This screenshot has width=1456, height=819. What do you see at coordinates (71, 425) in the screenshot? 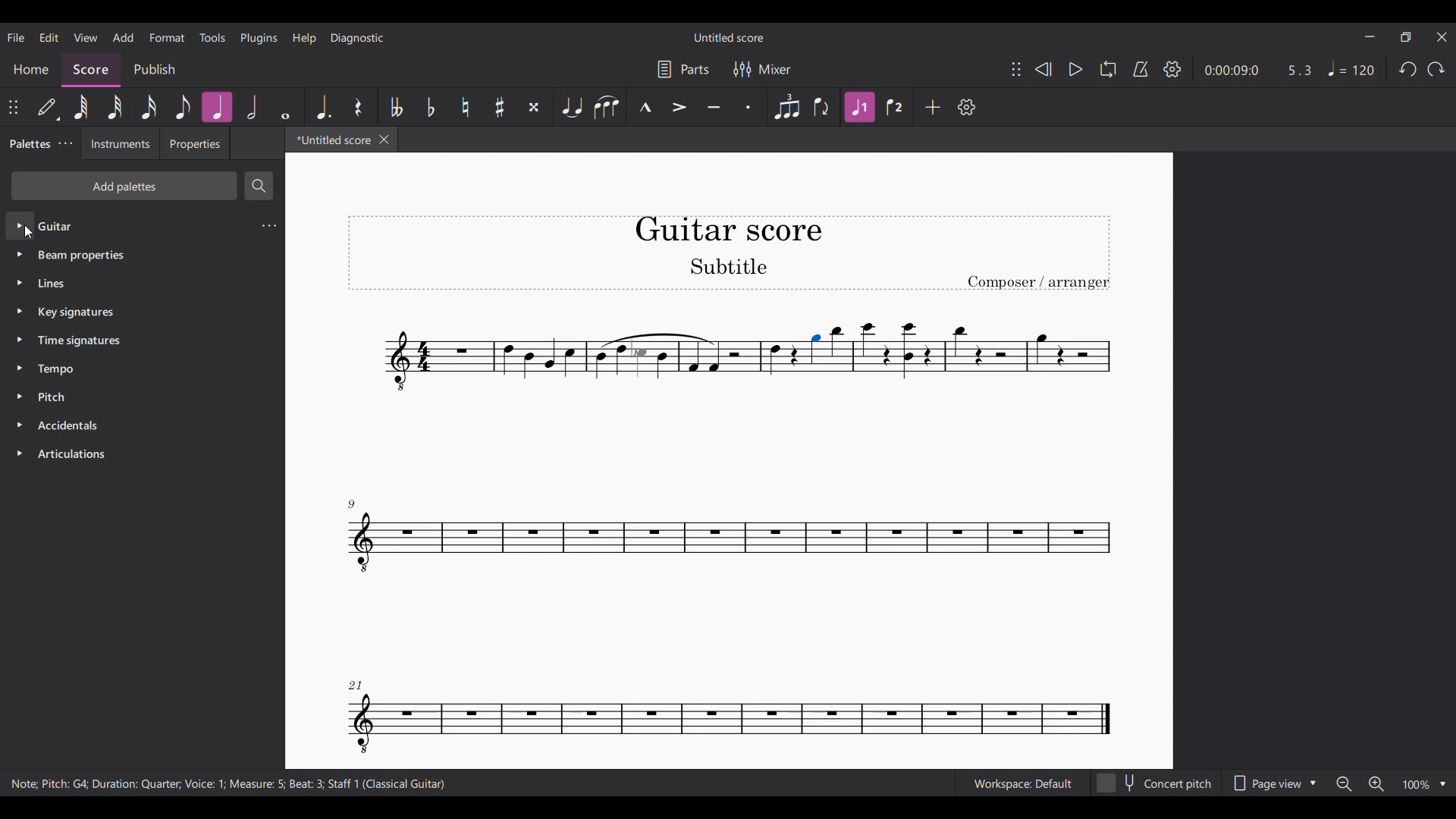
I see `Accidentals` at bounding box center [71, 425].